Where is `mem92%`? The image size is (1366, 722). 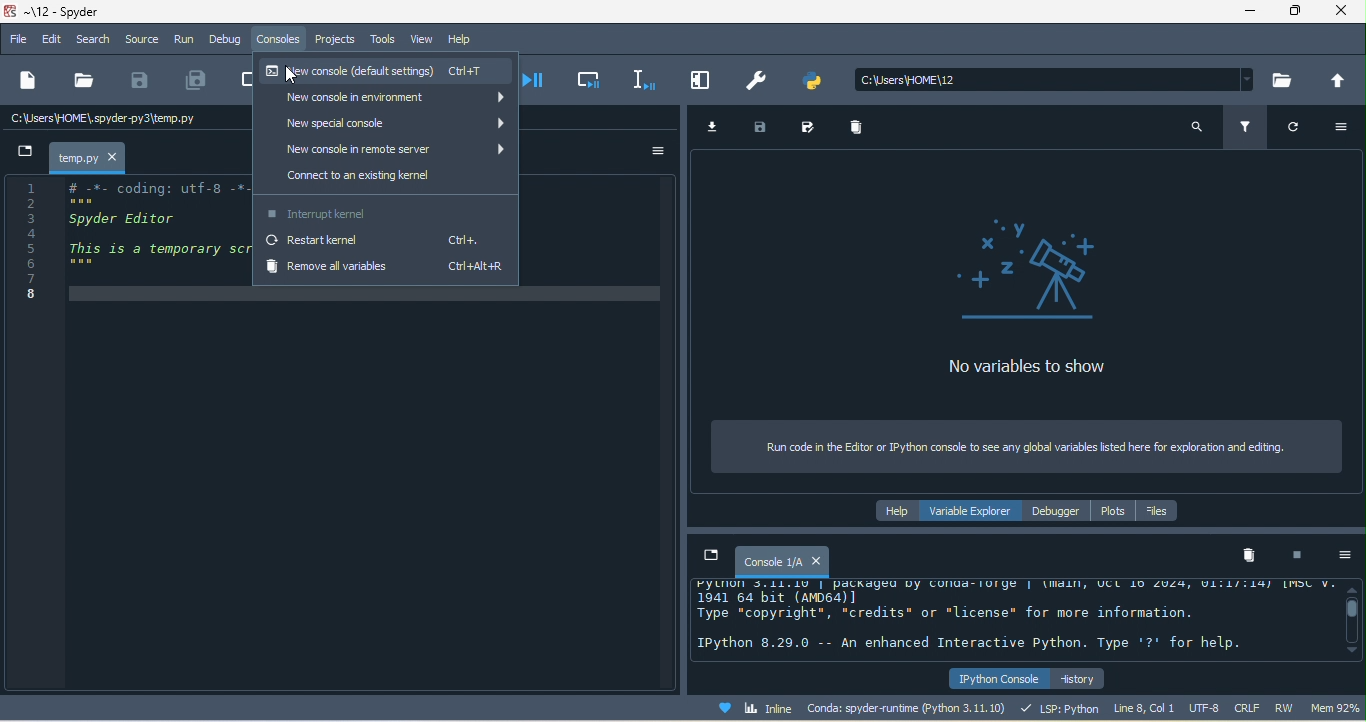 mem92% is located at coordinates (1333, 709).